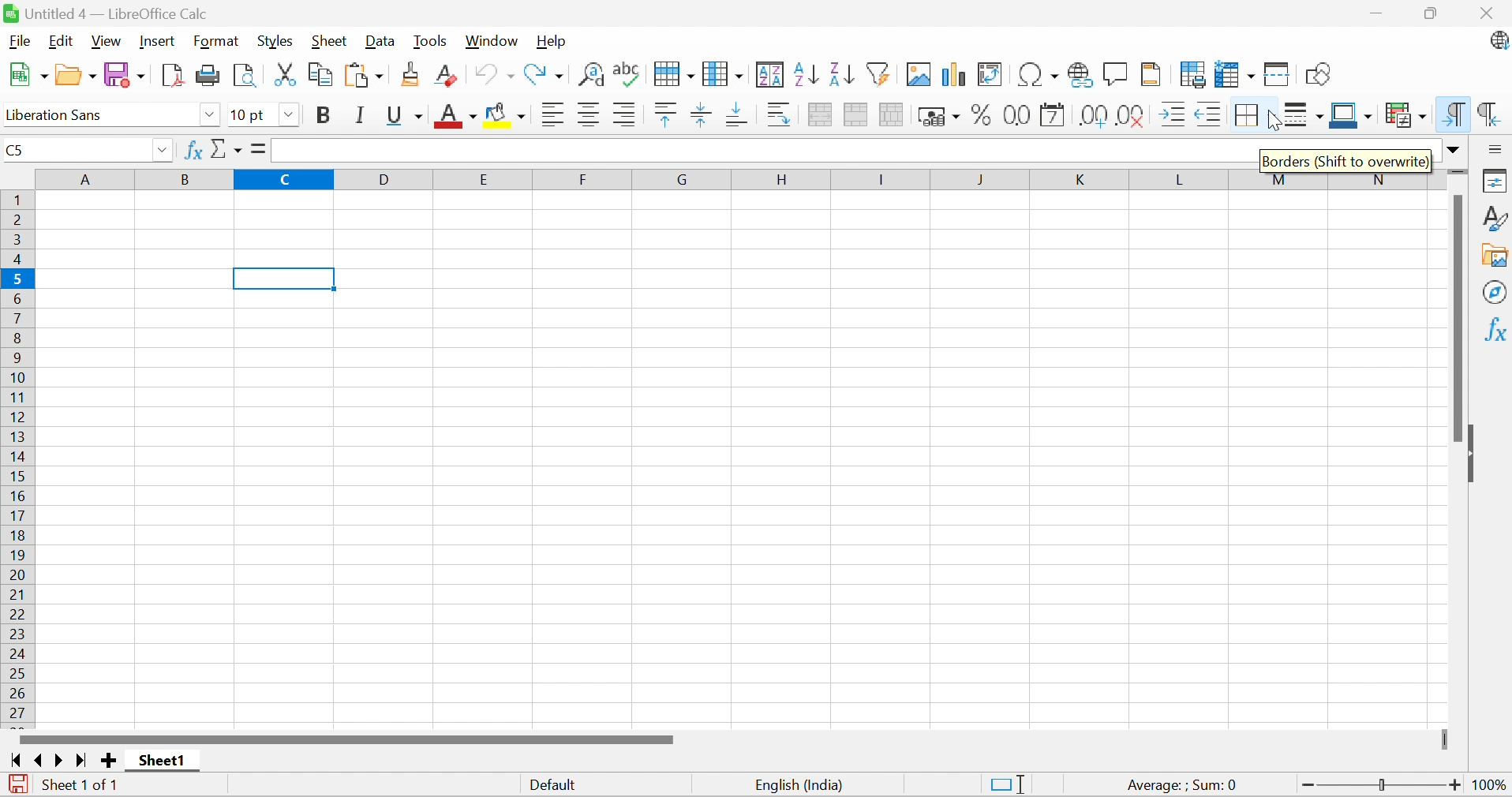 This screenshot has height=797, width=1512. I want to click on Font size, so click(249, 116).